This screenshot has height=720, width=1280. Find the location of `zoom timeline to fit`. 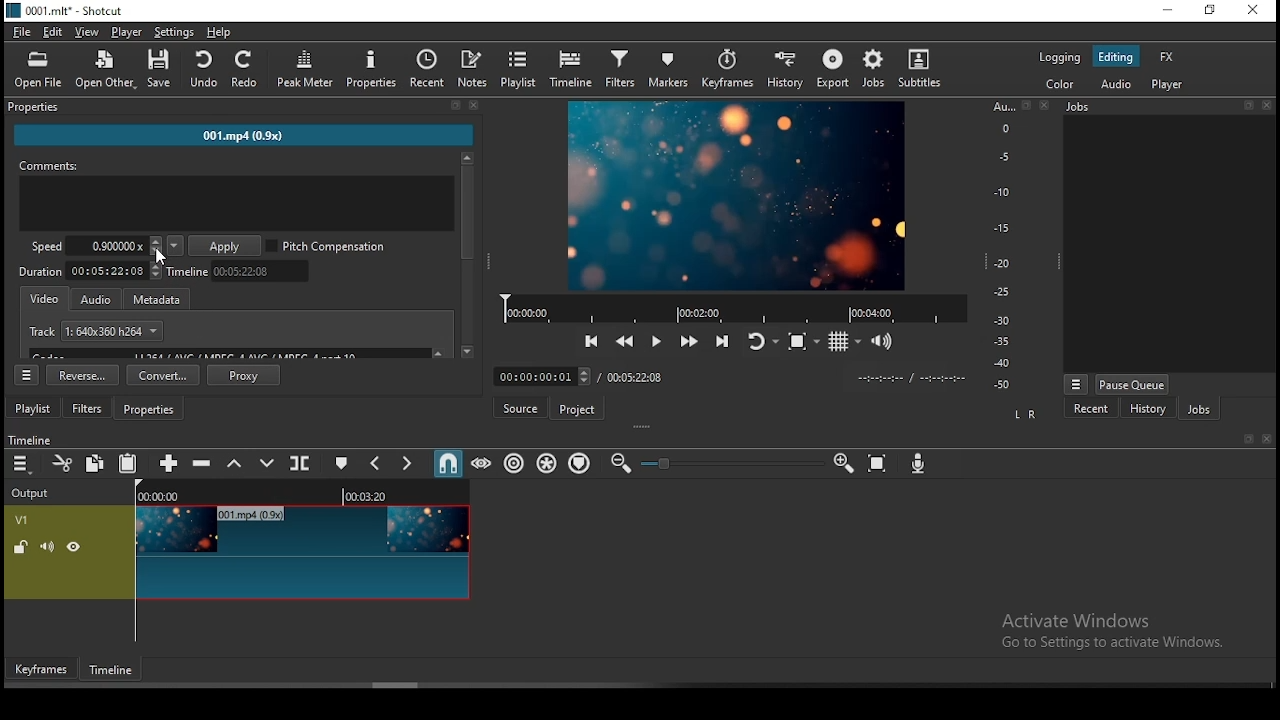

zoom timeline to fit is located at coordinates (877, 462).